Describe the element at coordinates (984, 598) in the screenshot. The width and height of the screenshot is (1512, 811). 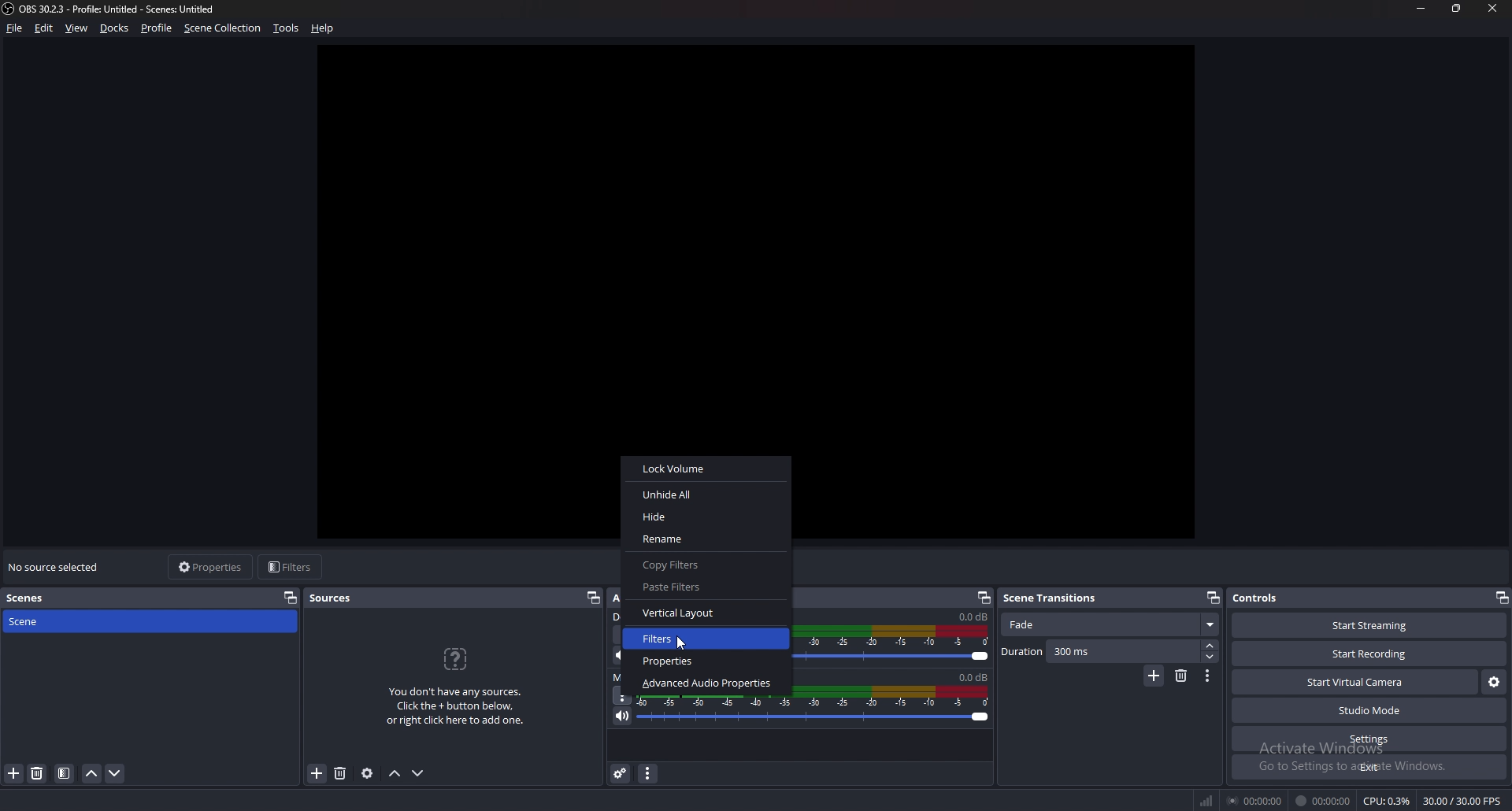
I see `pop out` at that location.